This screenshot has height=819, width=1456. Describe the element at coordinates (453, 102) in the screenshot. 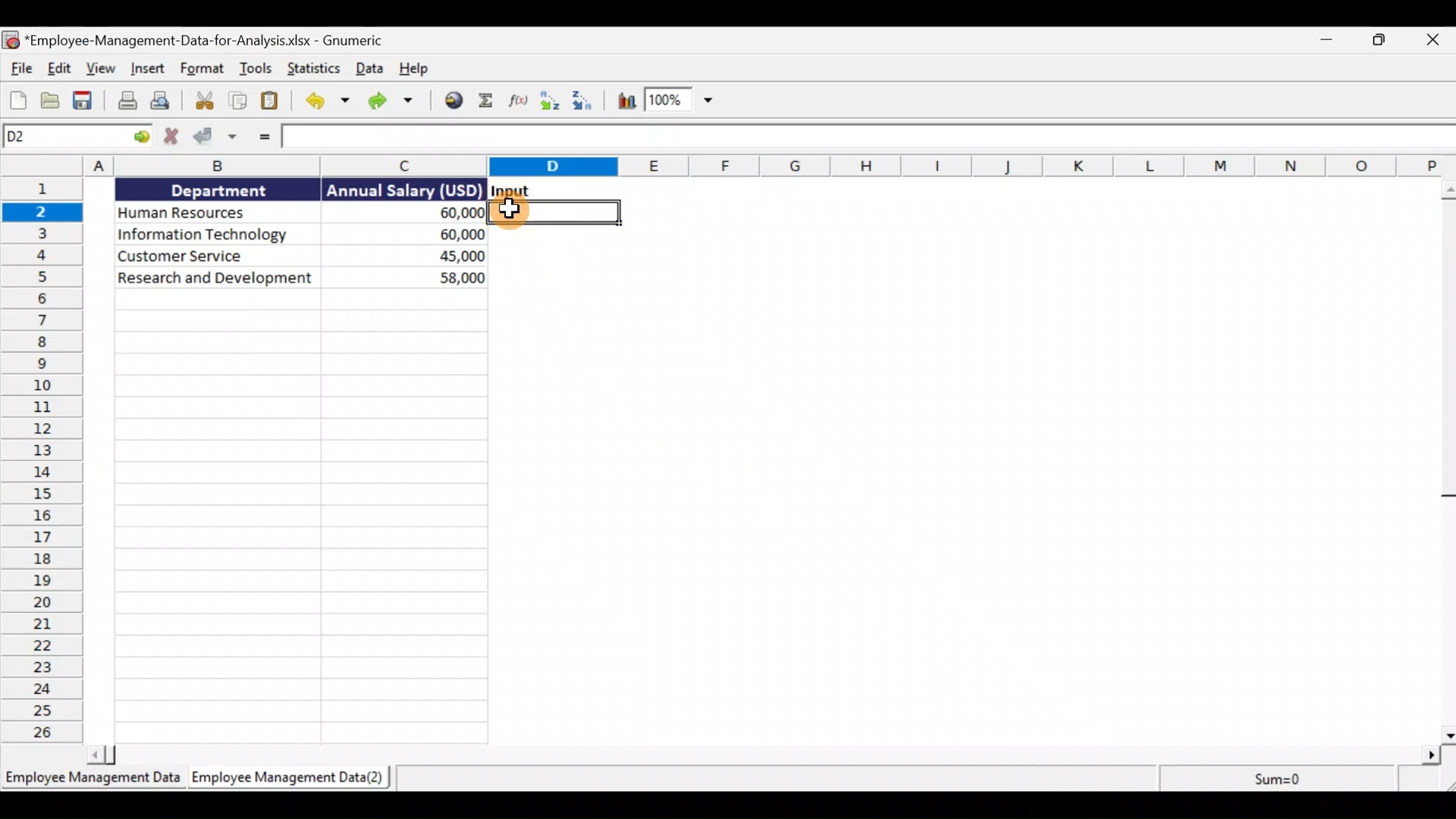

I see `Insert hyperlink` at that location.